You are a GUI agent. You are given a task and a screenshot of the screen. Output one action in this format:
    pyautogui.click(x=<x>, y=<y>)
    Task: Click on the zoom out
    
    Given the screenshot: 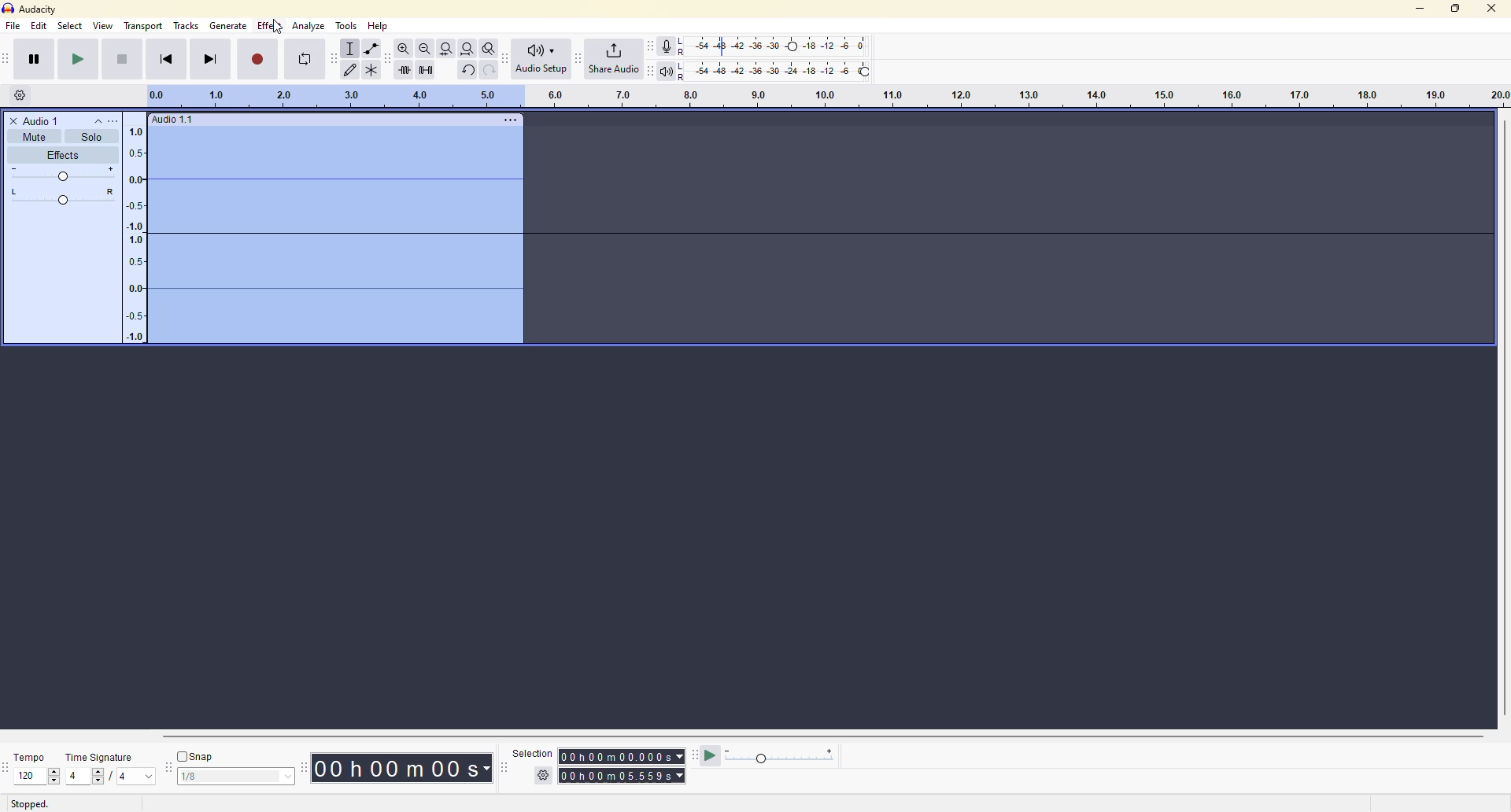 What is the action you would take?
    pyautogui.click(x=424, y=48)
    